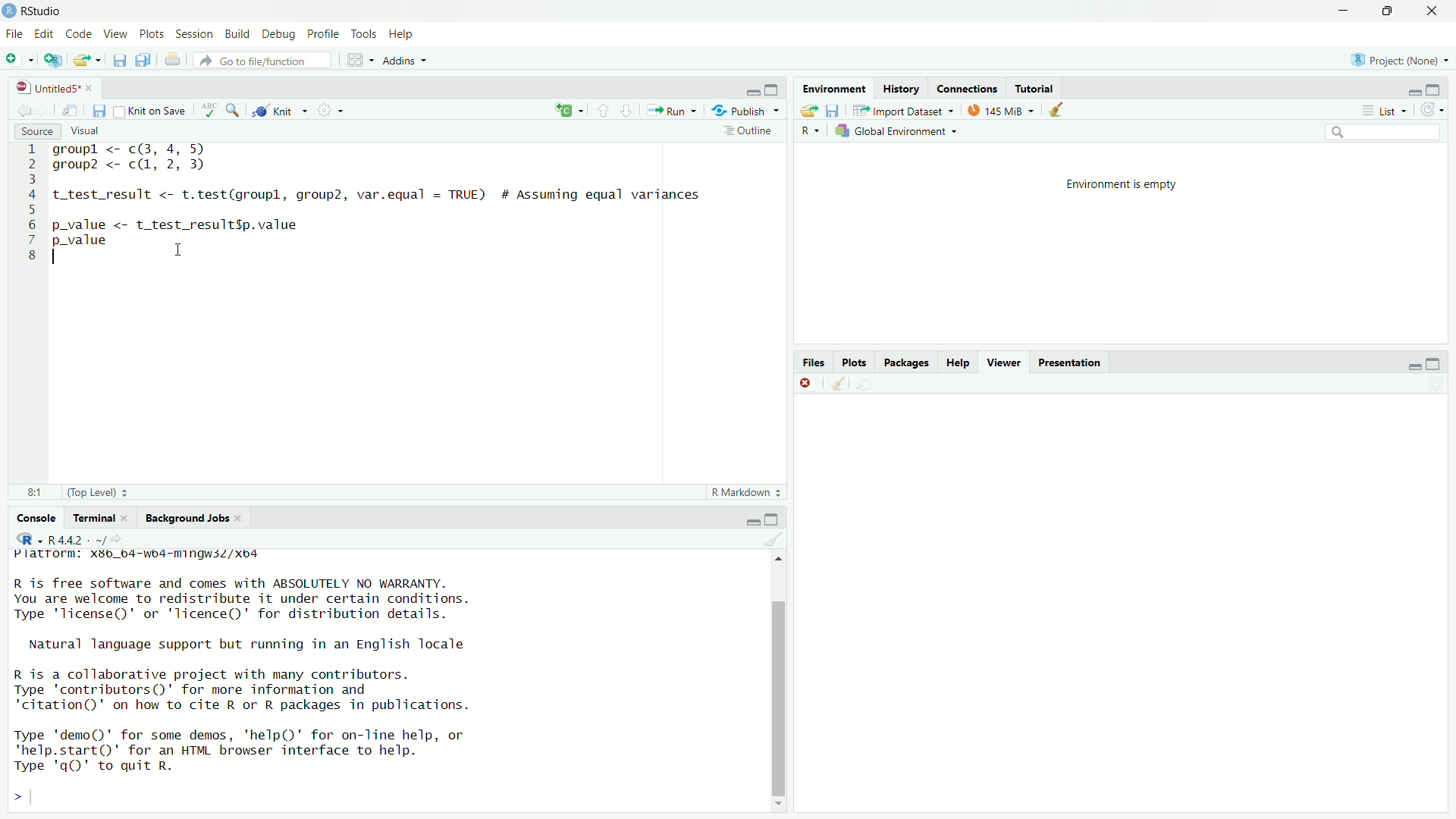  Describe the element at coordinates (31, 202) in the screenshot. I see `code line` at that location.